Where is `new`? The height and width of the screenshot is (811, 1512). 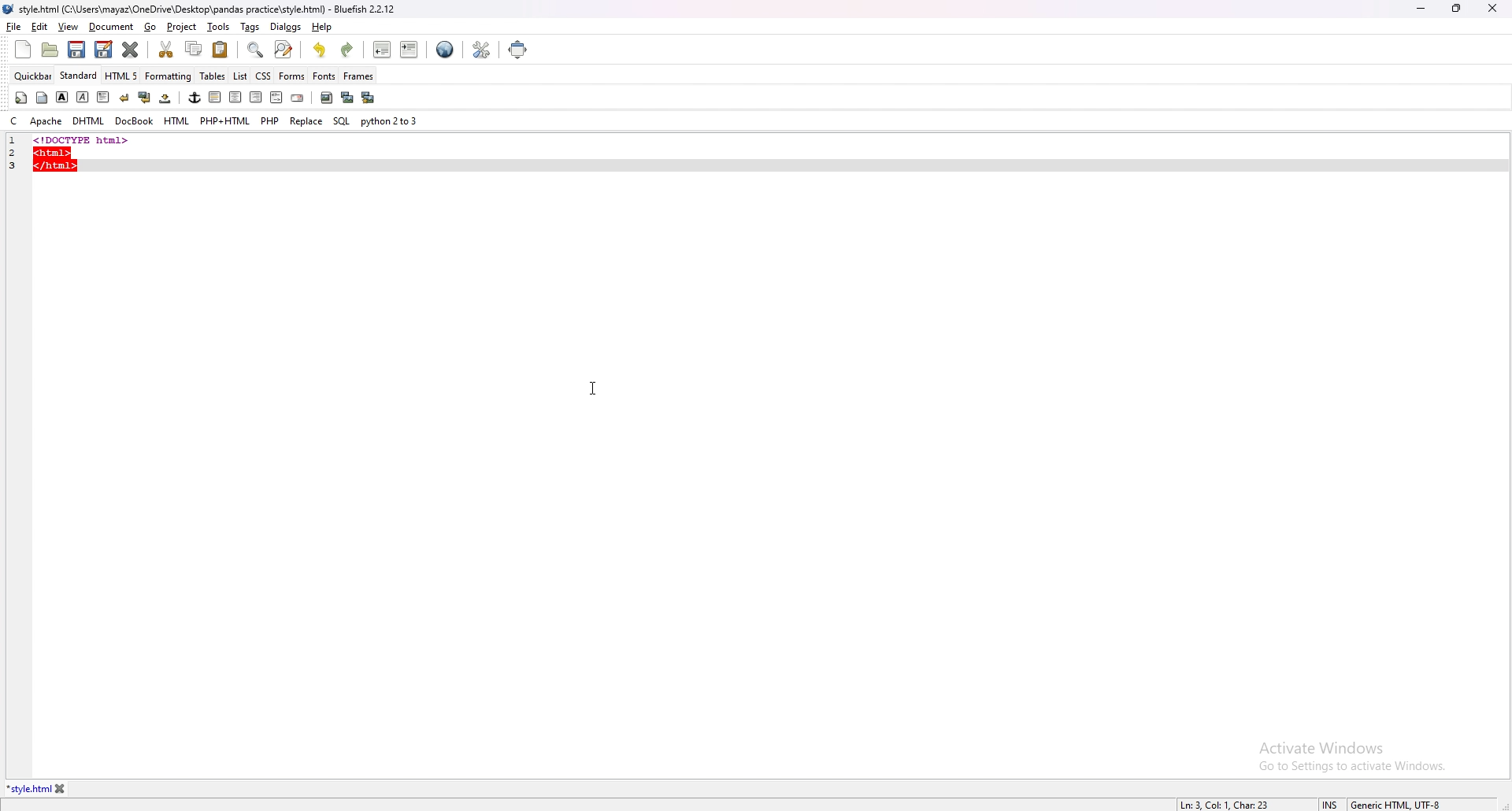 new is located at coordinates (23, 50).